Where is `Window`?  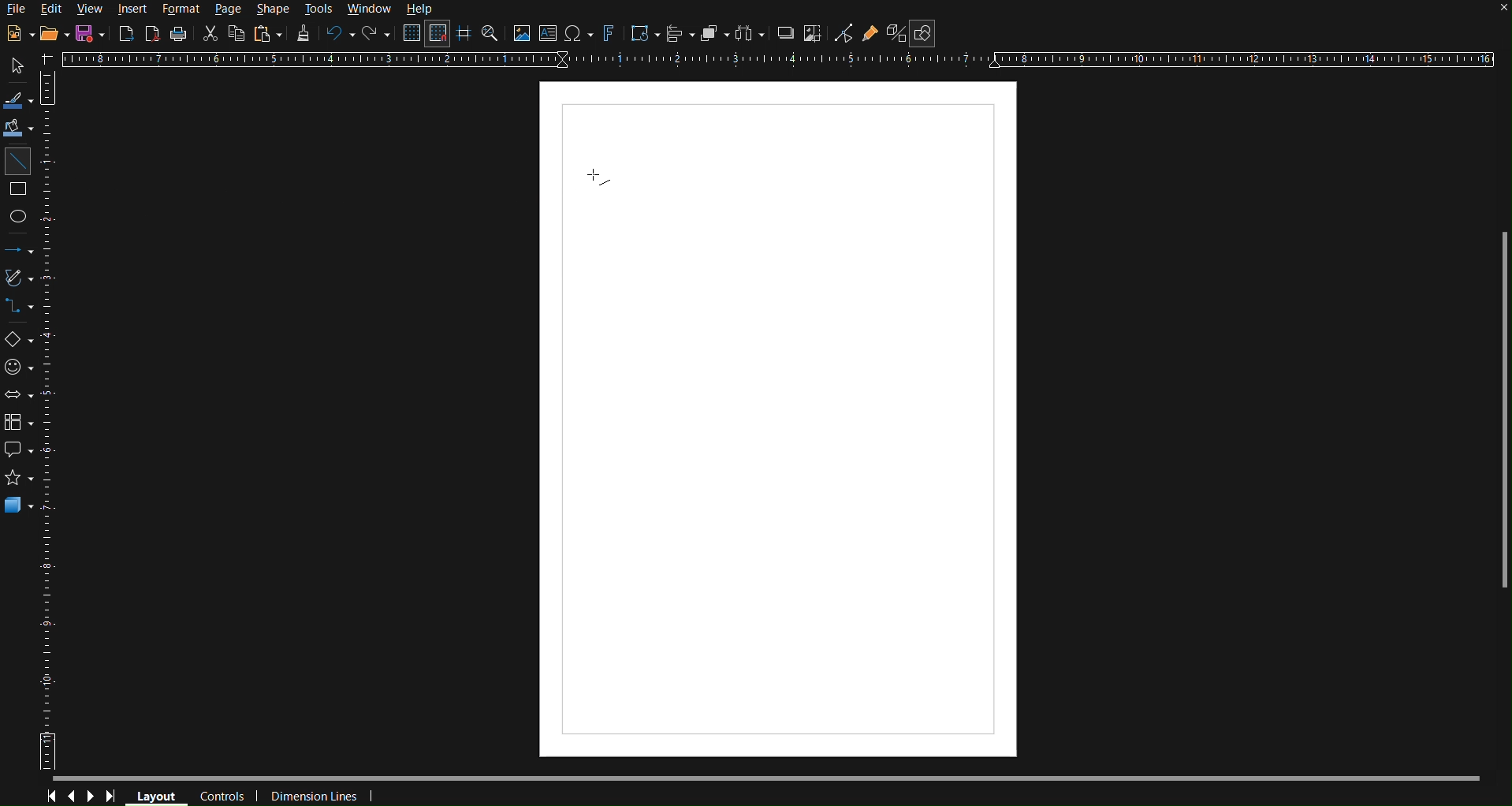
Window is located at coordinates (368, 9).